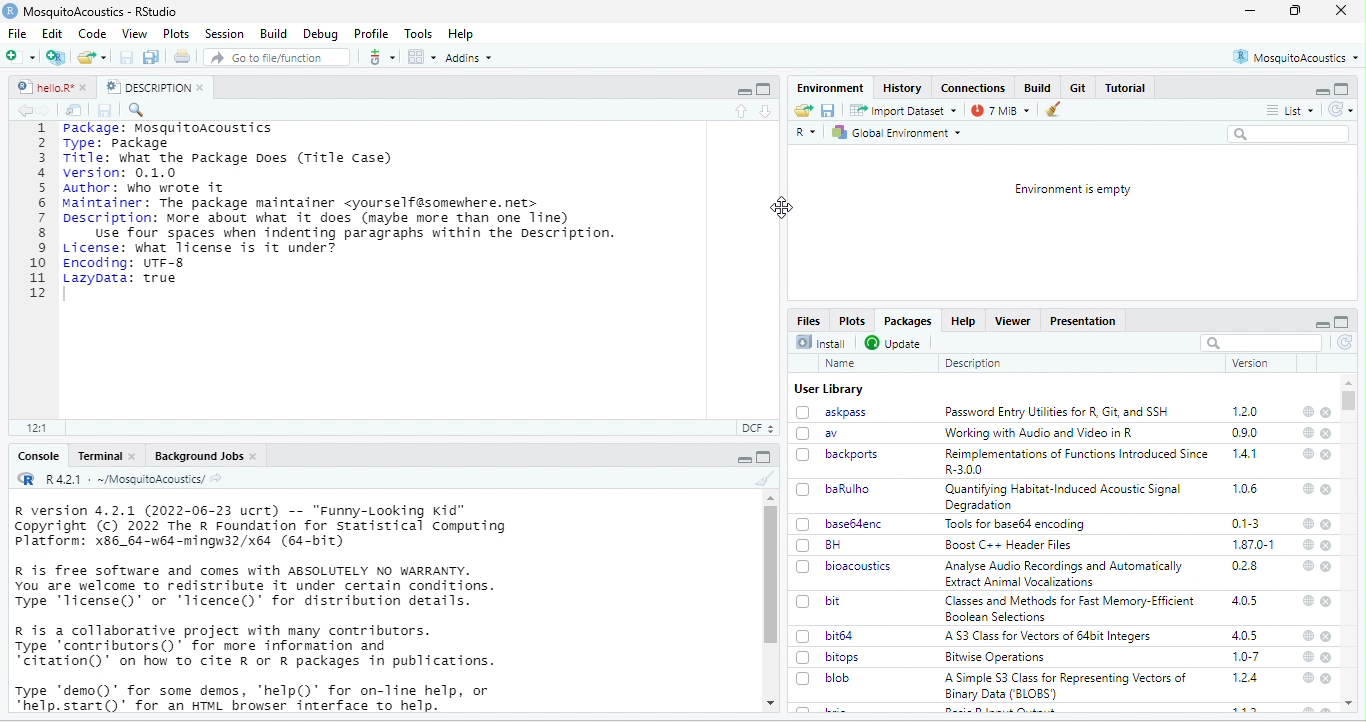 The image size is (1366, 722). I want to click on next section, so click(765, 112).